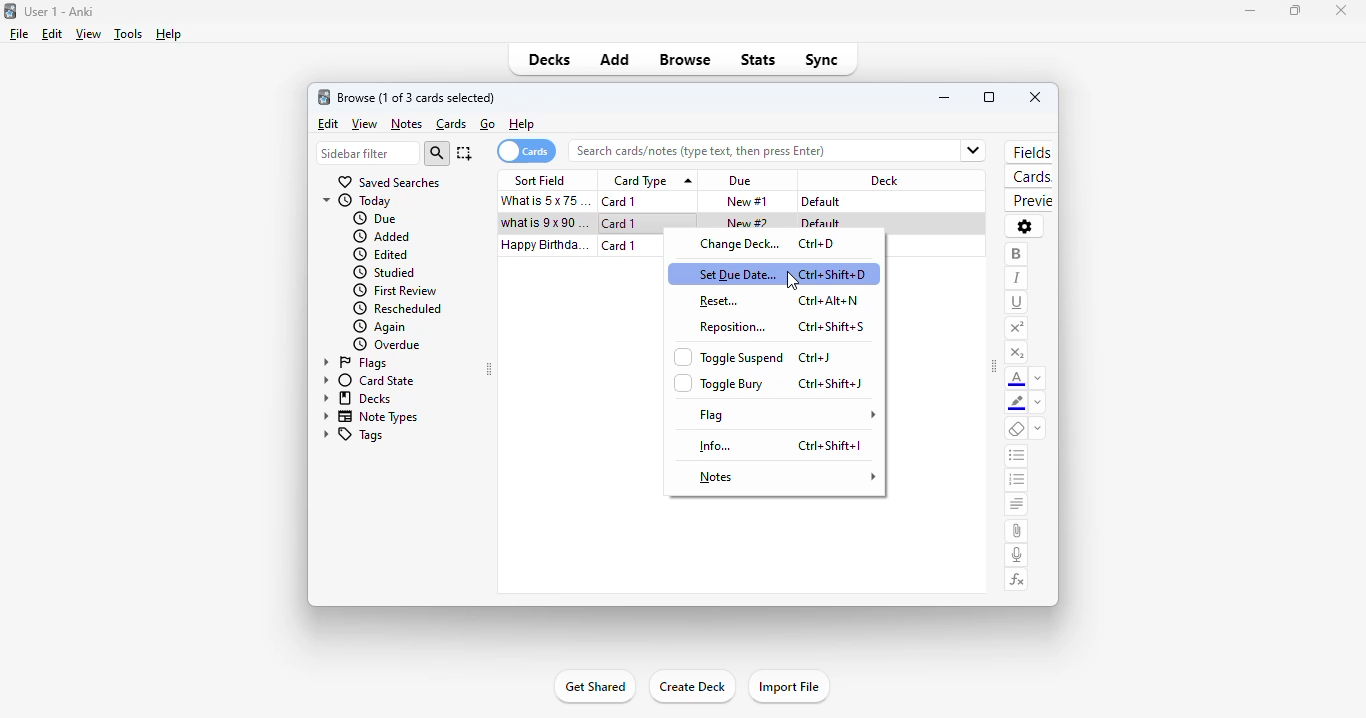  What do you see at coordinates (87, 35) in the screenshot?
I see `view` at bounding box center [87, 35].